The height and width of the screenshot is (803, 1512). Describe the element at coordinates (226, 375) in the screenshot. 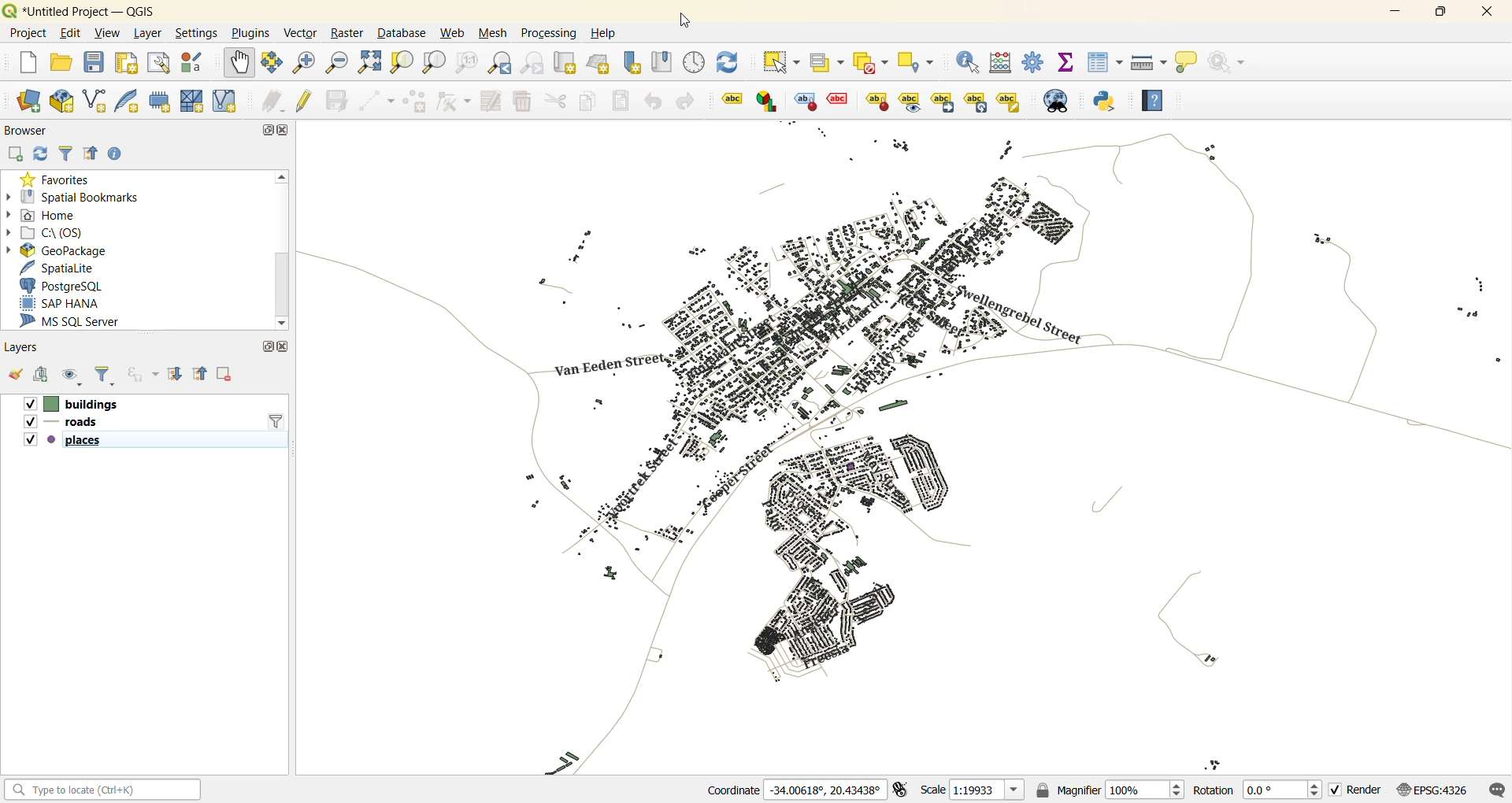

I see `remove` at that location.